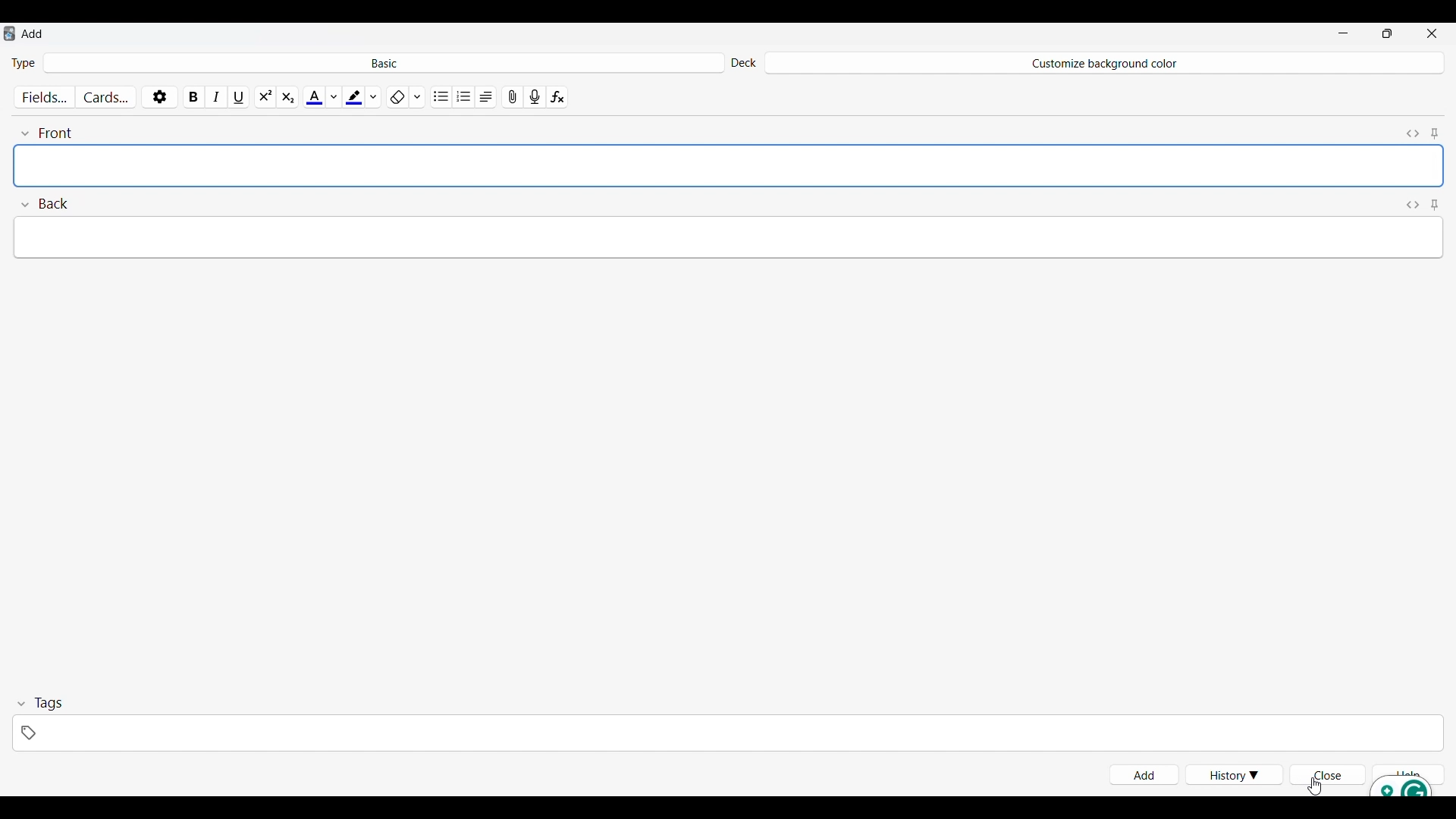  I want to click on Toggle sticky, so click(1434, 203).